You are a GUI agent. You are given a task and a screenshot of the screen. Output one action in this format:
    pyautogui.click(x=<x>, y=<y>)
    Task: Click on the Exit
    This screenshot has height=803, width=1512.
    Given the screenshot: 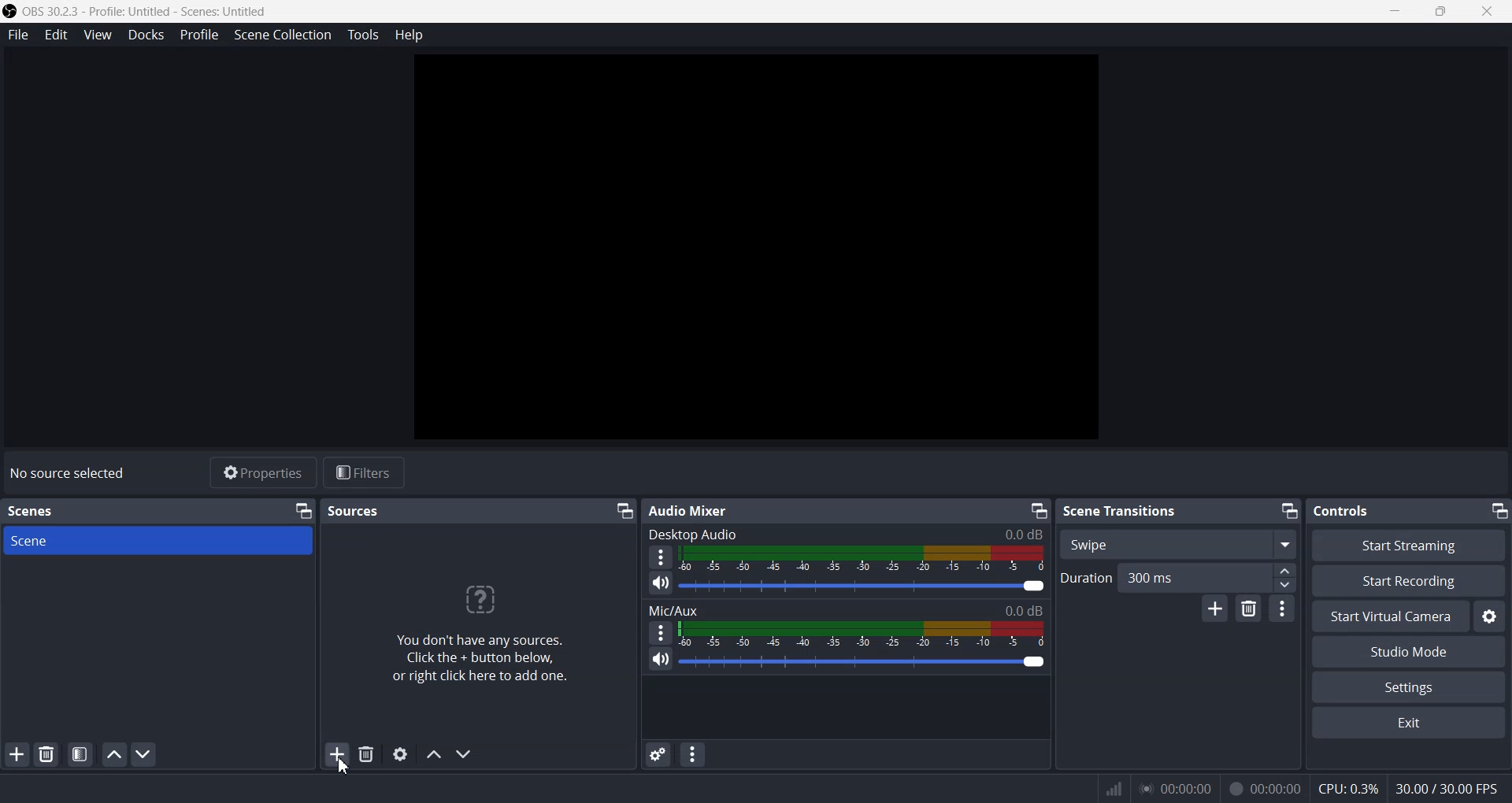 What is the action you would take?
    pyautogui.click(x=1407, y=723)
    